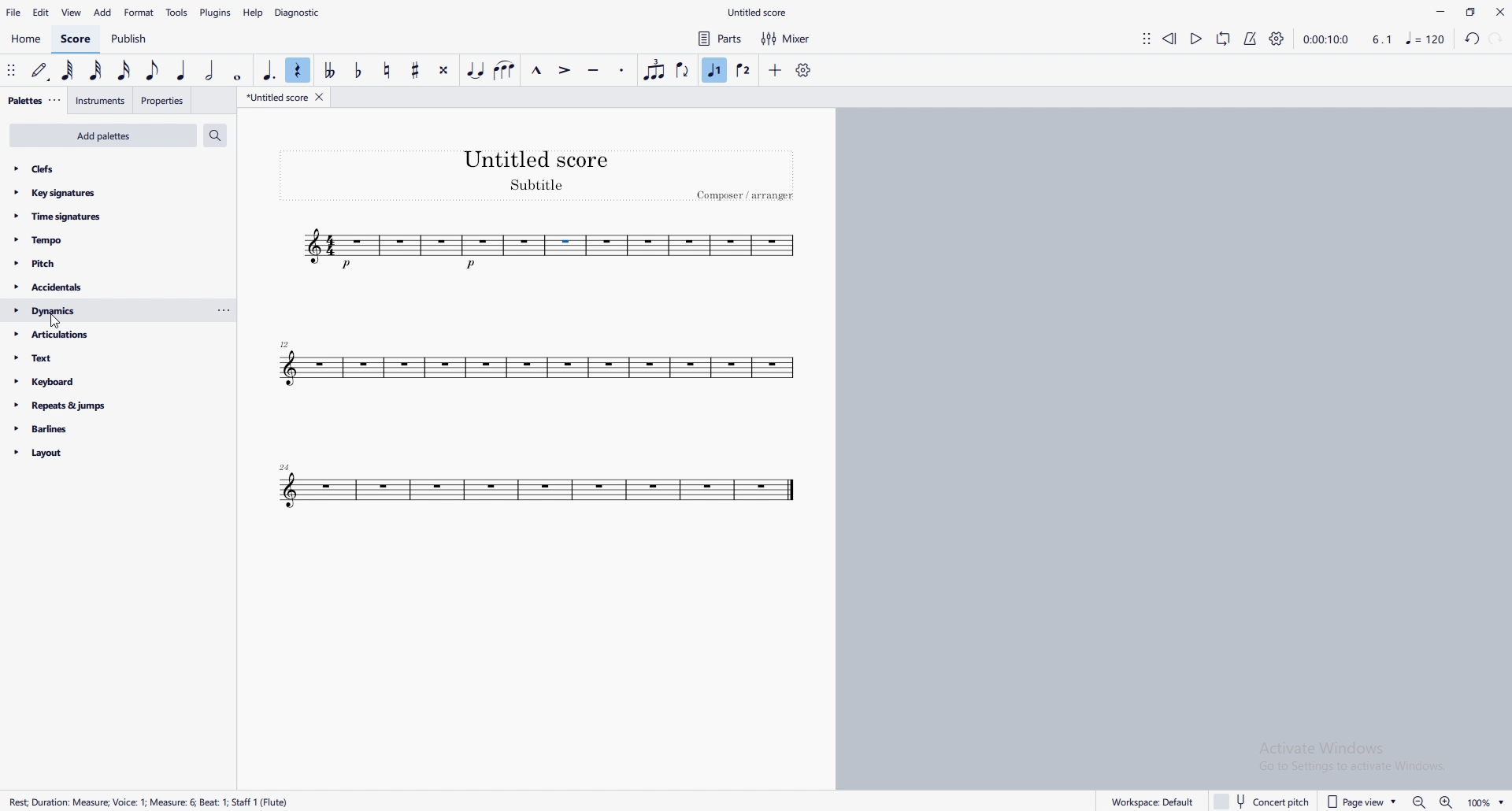 The height and width of the screenshot is (811, 1512). I want to click on rewind, so click(1169, 37).